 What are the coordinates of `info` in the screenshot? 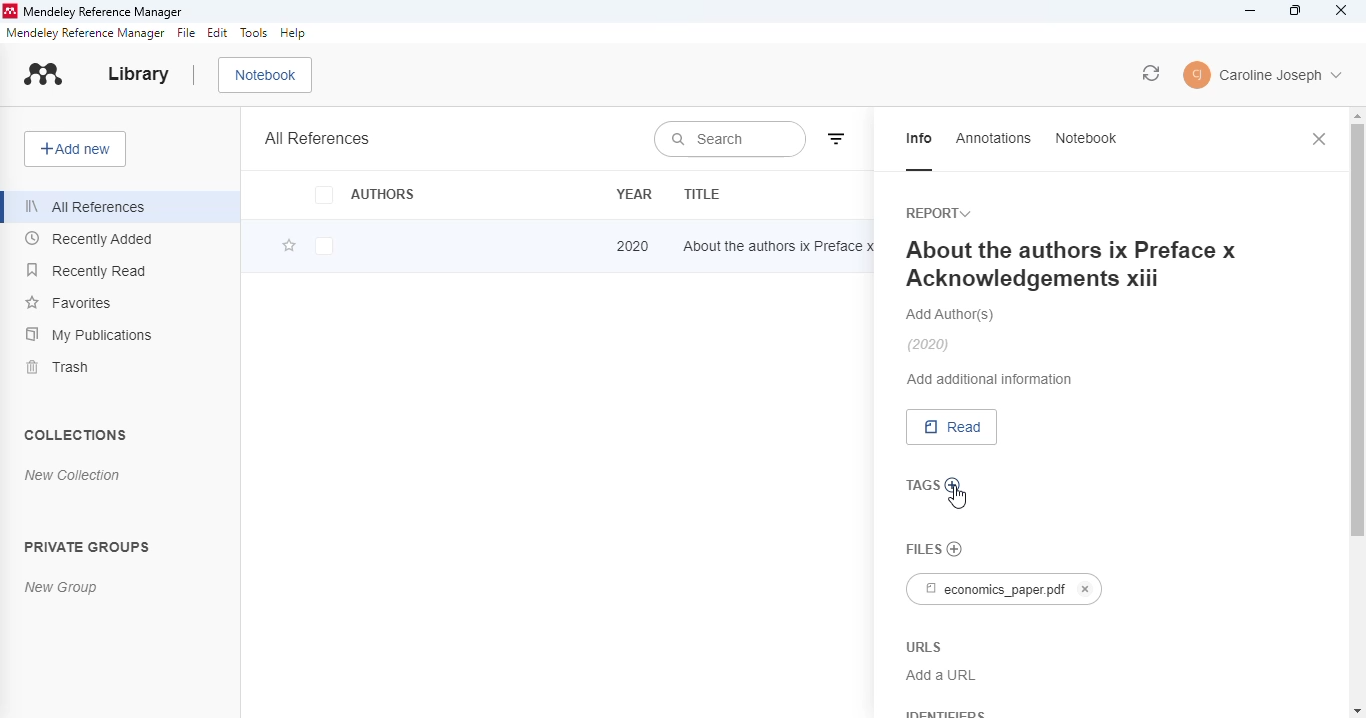 It's located at (919, 138).